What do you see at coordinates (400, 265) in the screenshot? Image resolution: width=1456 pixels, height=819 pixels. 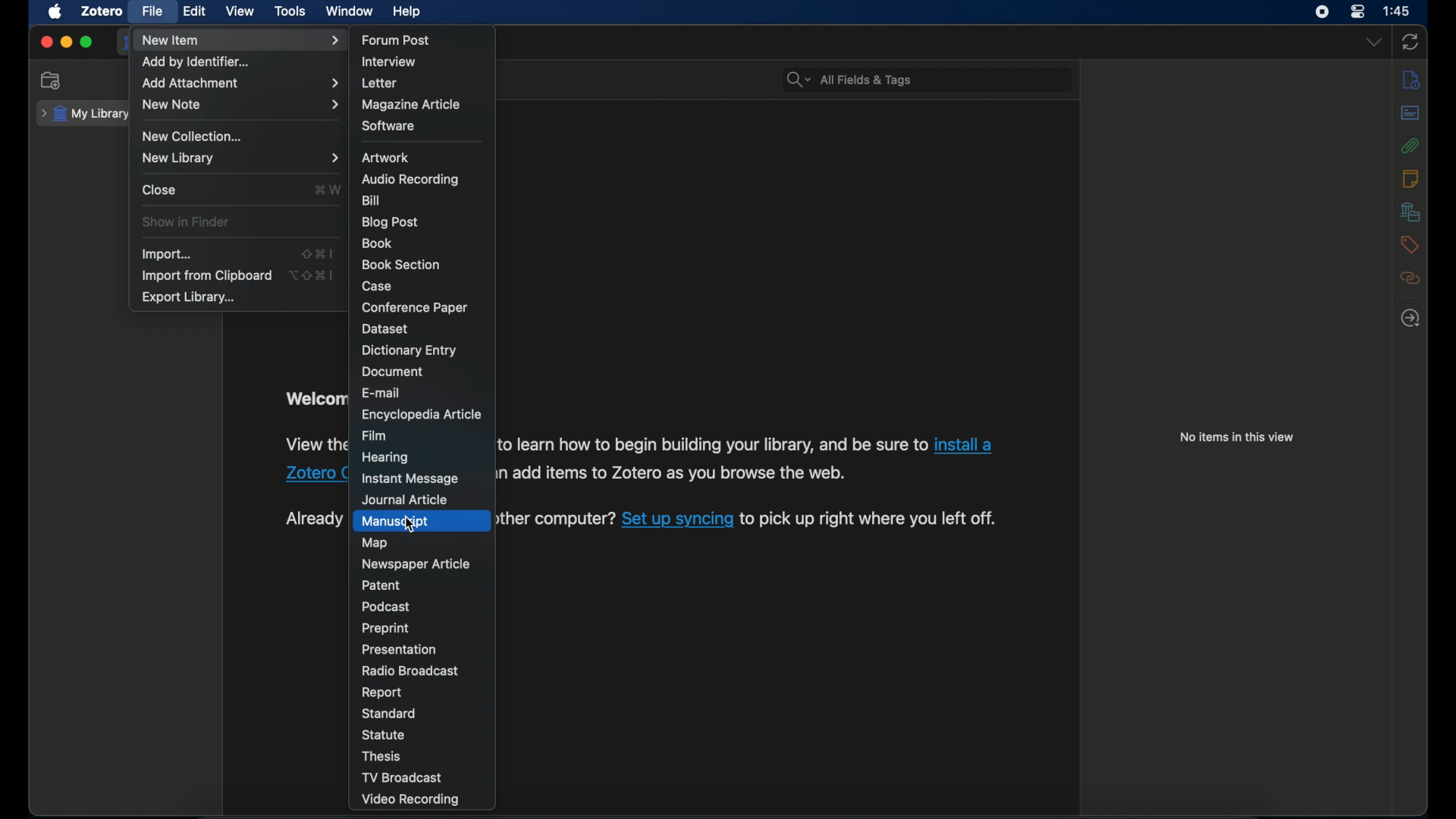 I see `book section` at bounding box center [400, 265].